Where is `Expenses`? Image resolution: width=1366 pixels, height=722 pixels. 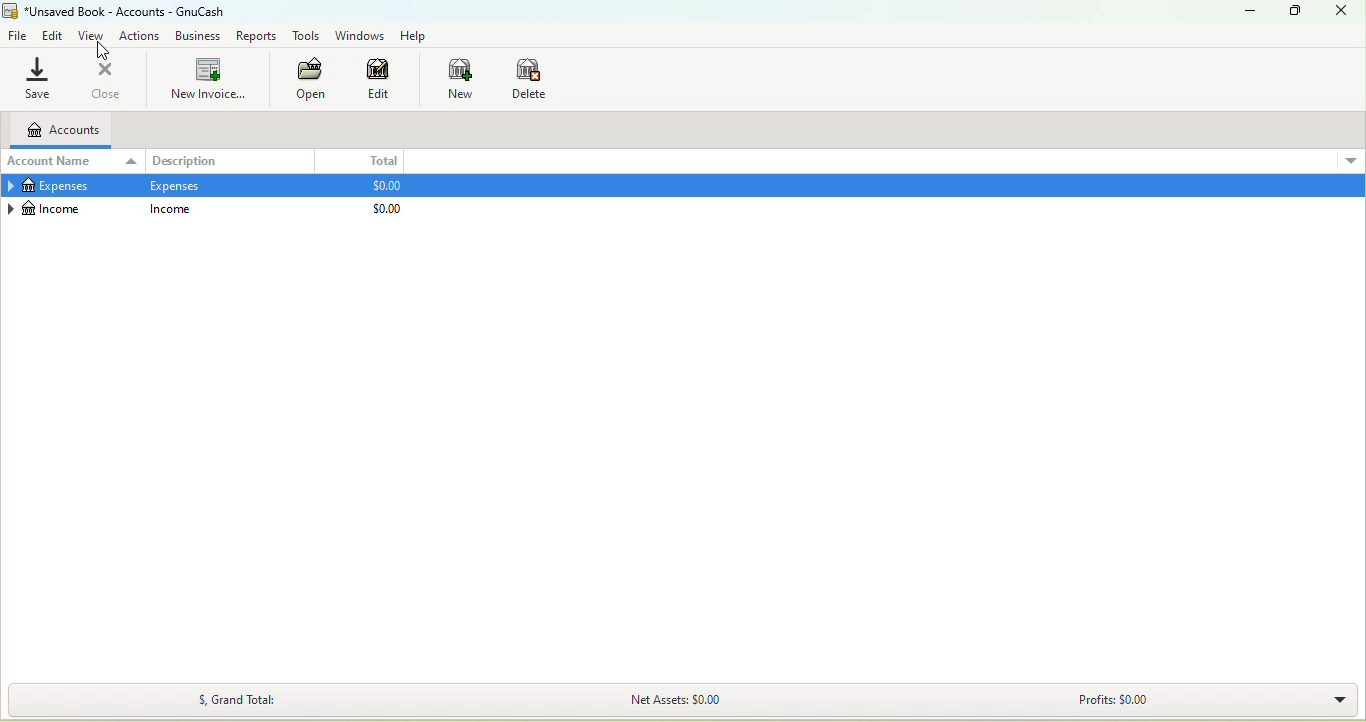
Expenses is located at coordinates (176, 186).